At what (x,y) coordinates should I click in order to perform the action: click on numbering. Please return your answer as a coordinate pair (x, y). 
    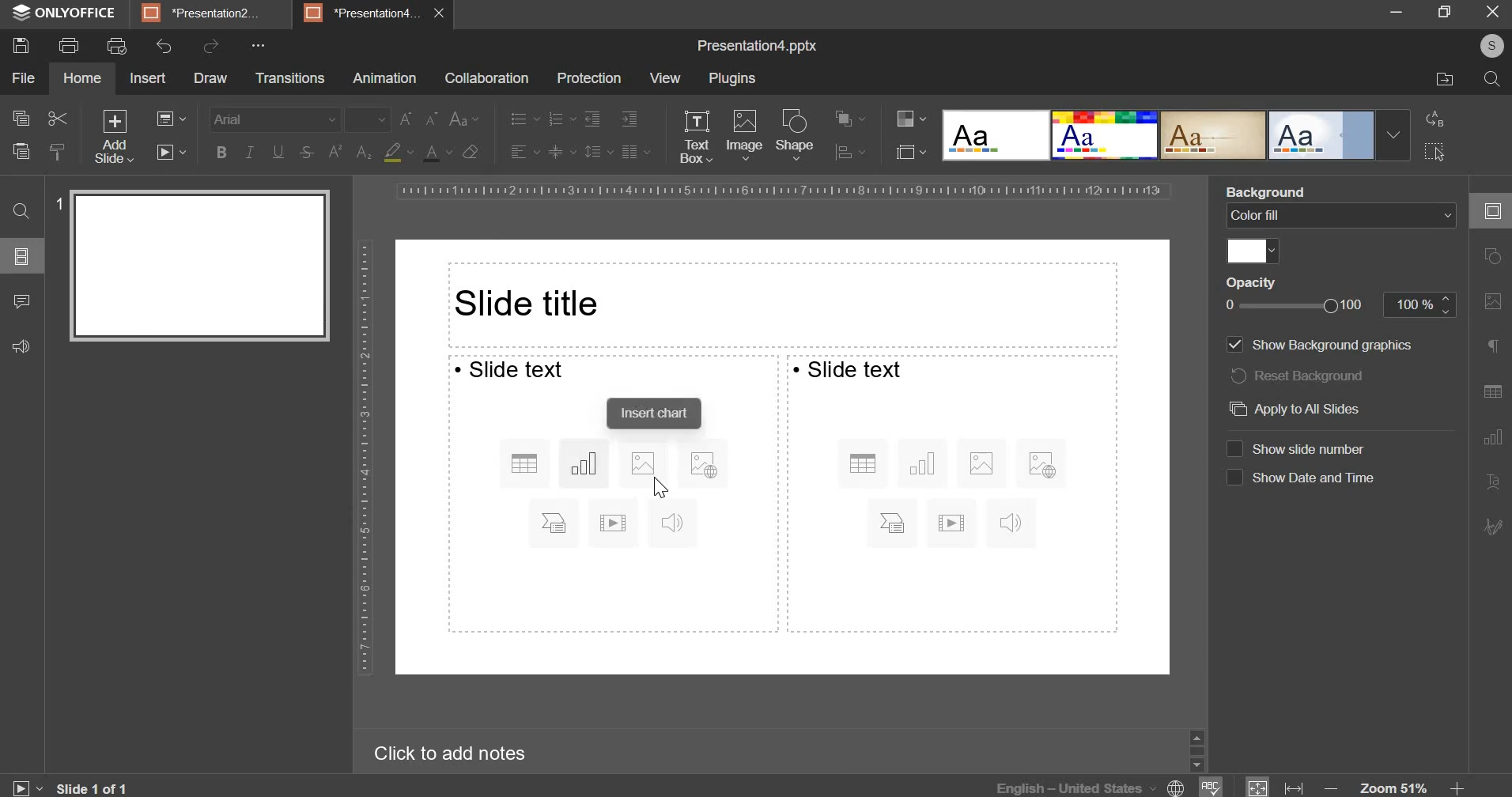
    Looking at the image, I should click on (561, 119).